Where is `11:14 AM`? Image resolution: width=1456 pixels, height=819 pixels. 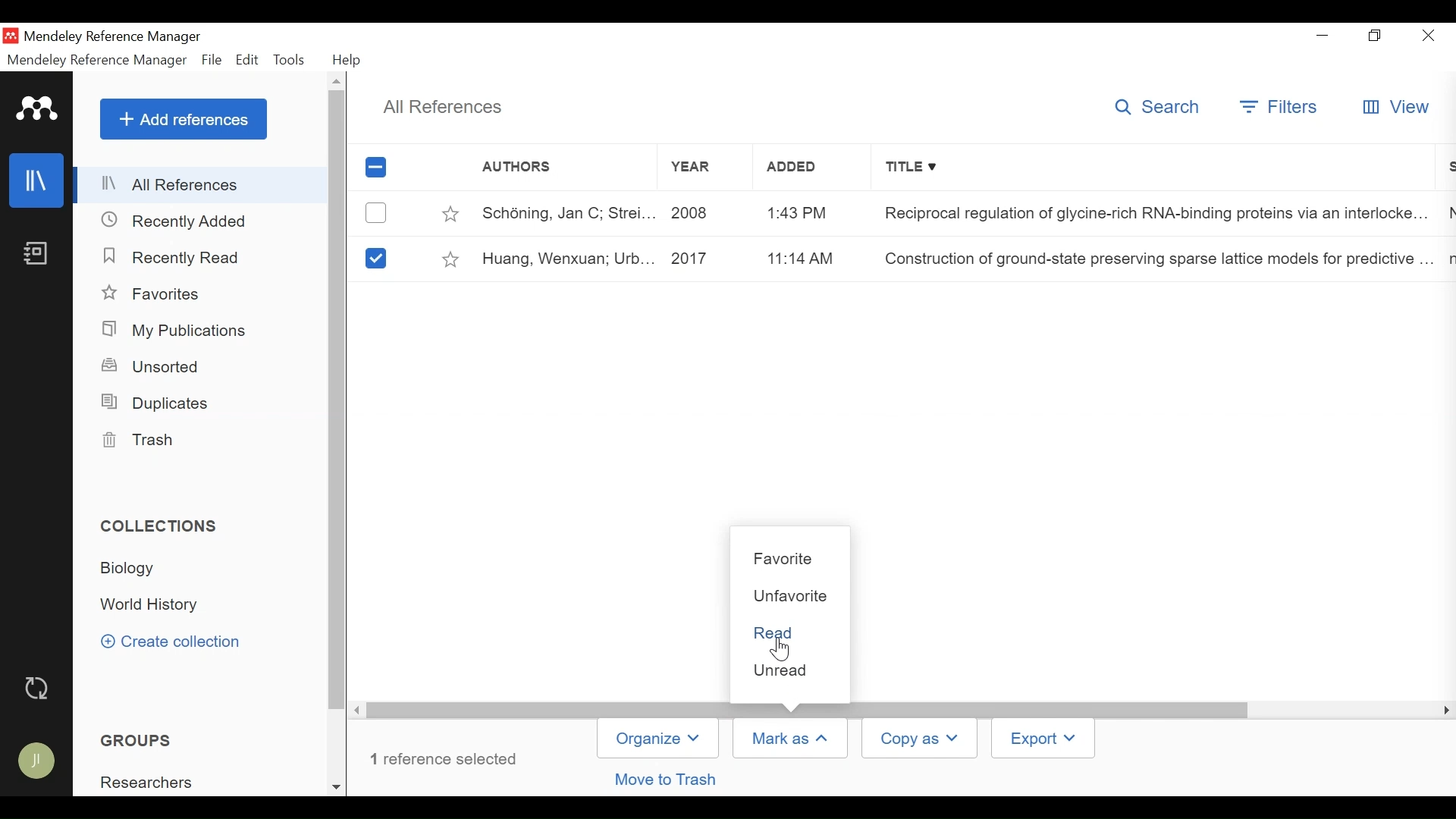 11:14 AM is located at coordinates (798, 258).